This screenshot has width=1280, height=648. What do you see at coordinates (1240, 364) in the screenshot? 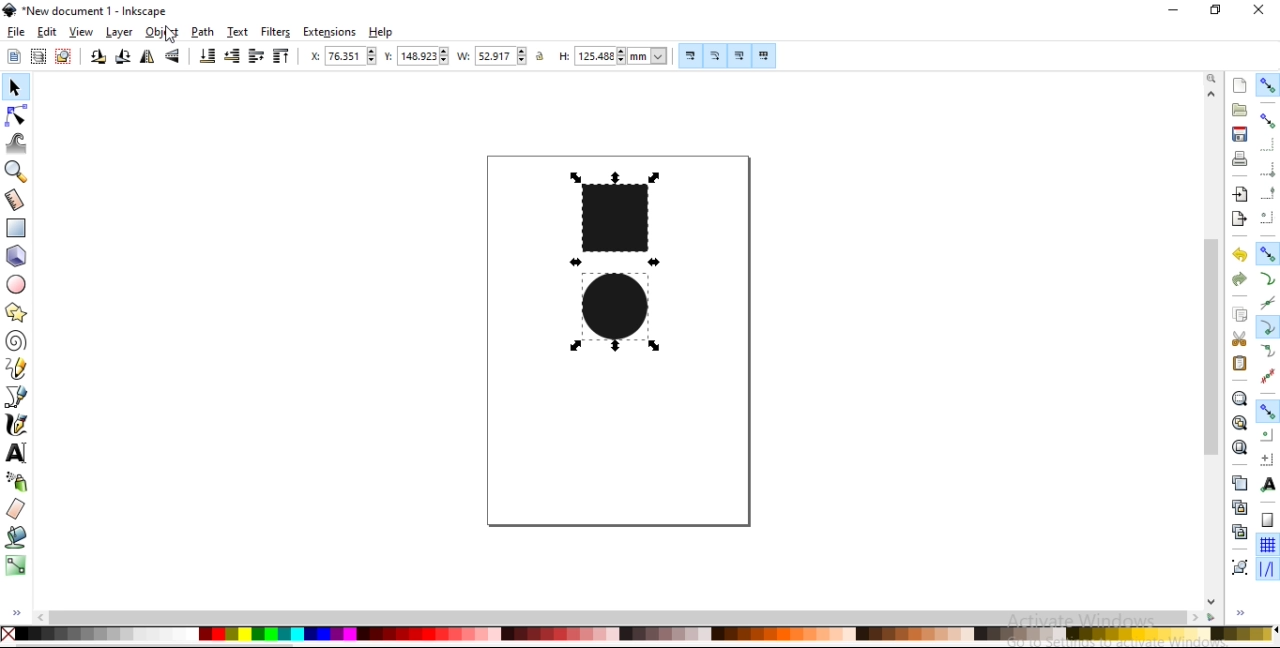
I see `paste` at bounding box center [1240, 364].